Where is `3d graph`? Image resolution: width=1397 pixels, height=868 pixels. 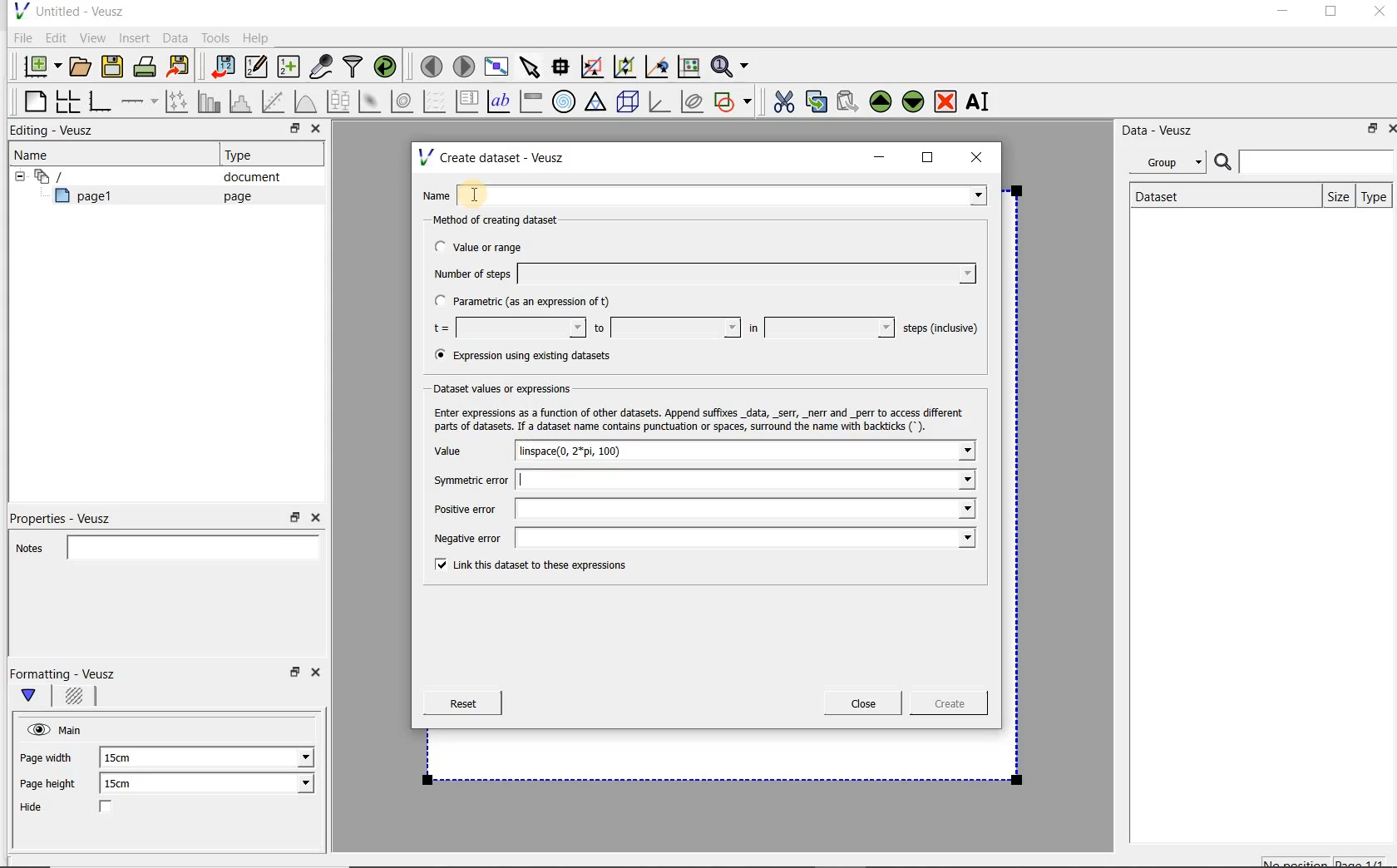
3d graph is located at coordinates (660, 103).